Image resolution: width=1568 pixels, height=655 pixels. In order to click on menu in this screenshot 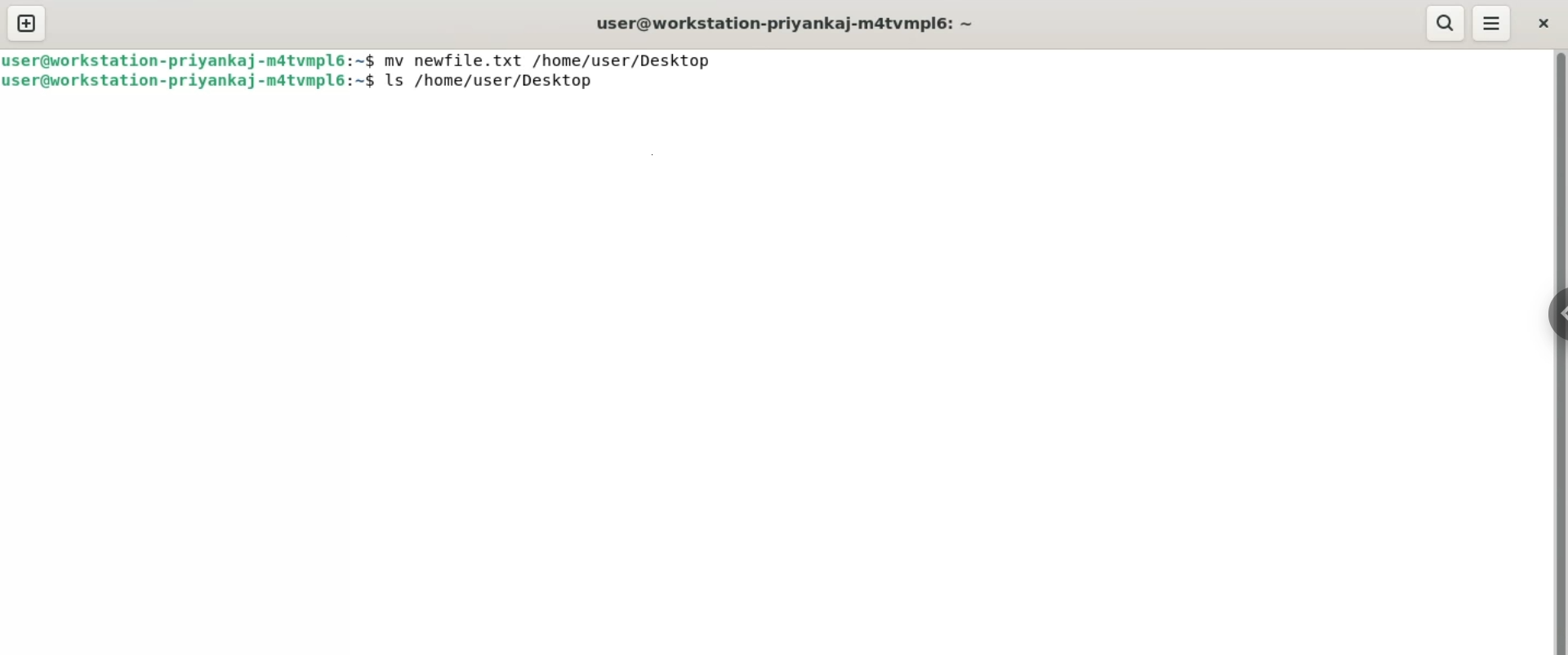, I will do `click(1494, 25)`.